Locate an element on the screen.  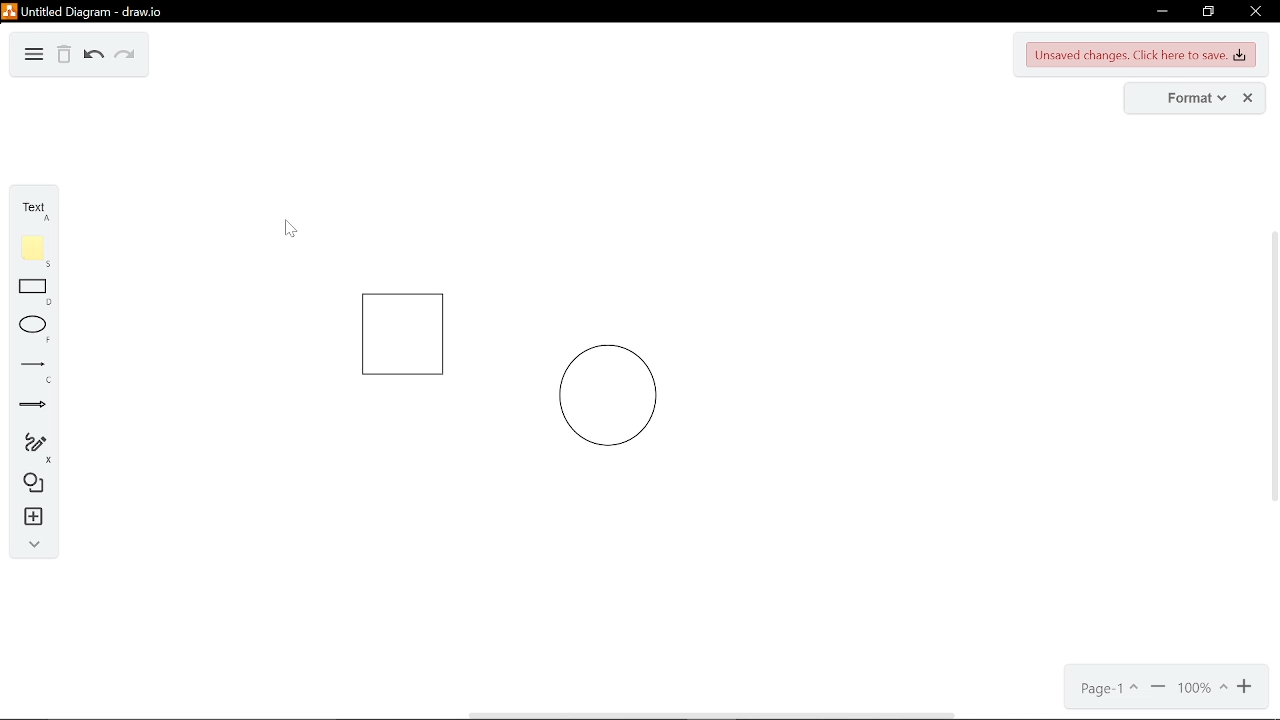
freehand is located at coordinates (29, 446).